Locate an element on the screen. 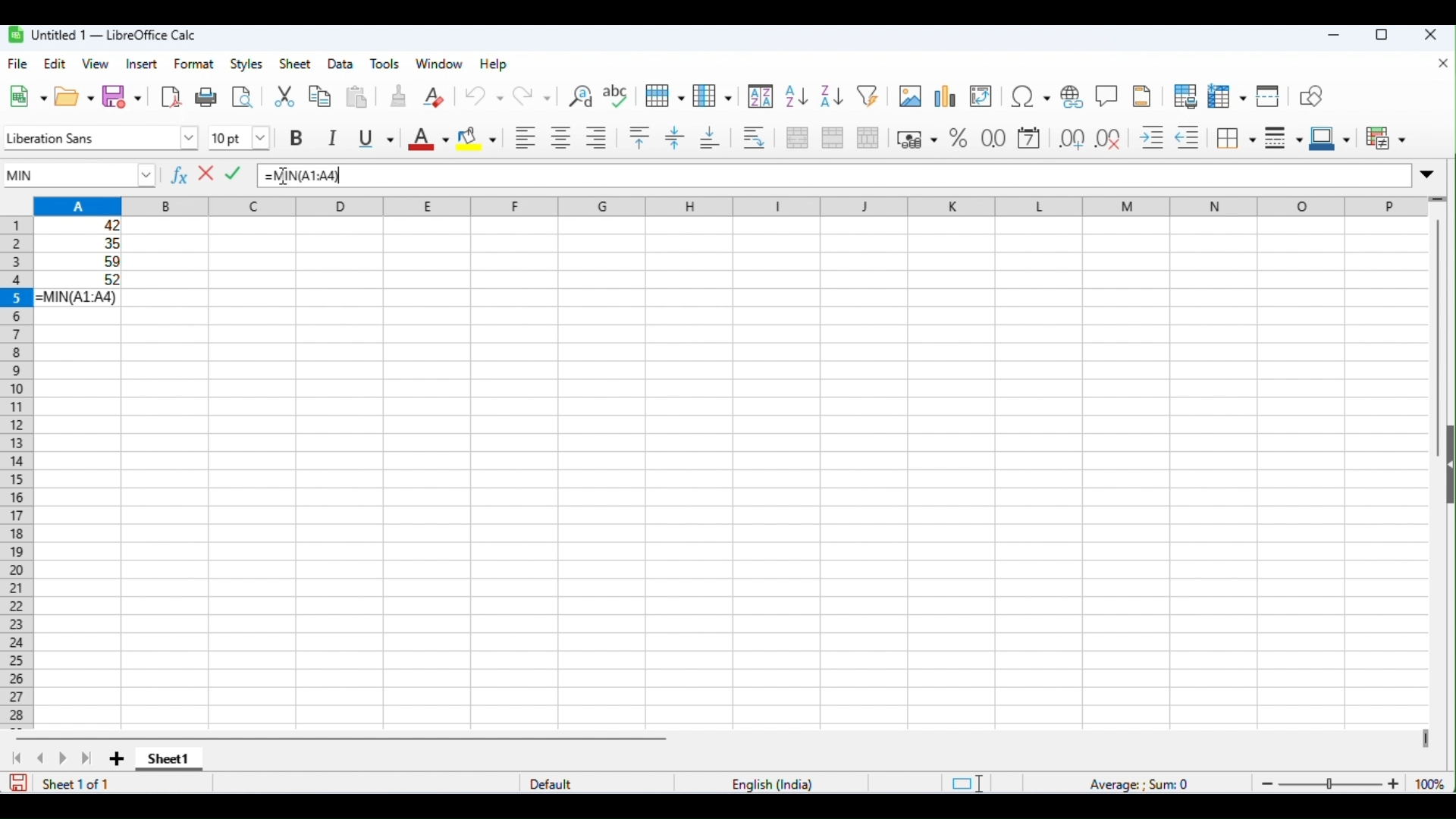  decrease indent is located at coordinates (1188, 137).